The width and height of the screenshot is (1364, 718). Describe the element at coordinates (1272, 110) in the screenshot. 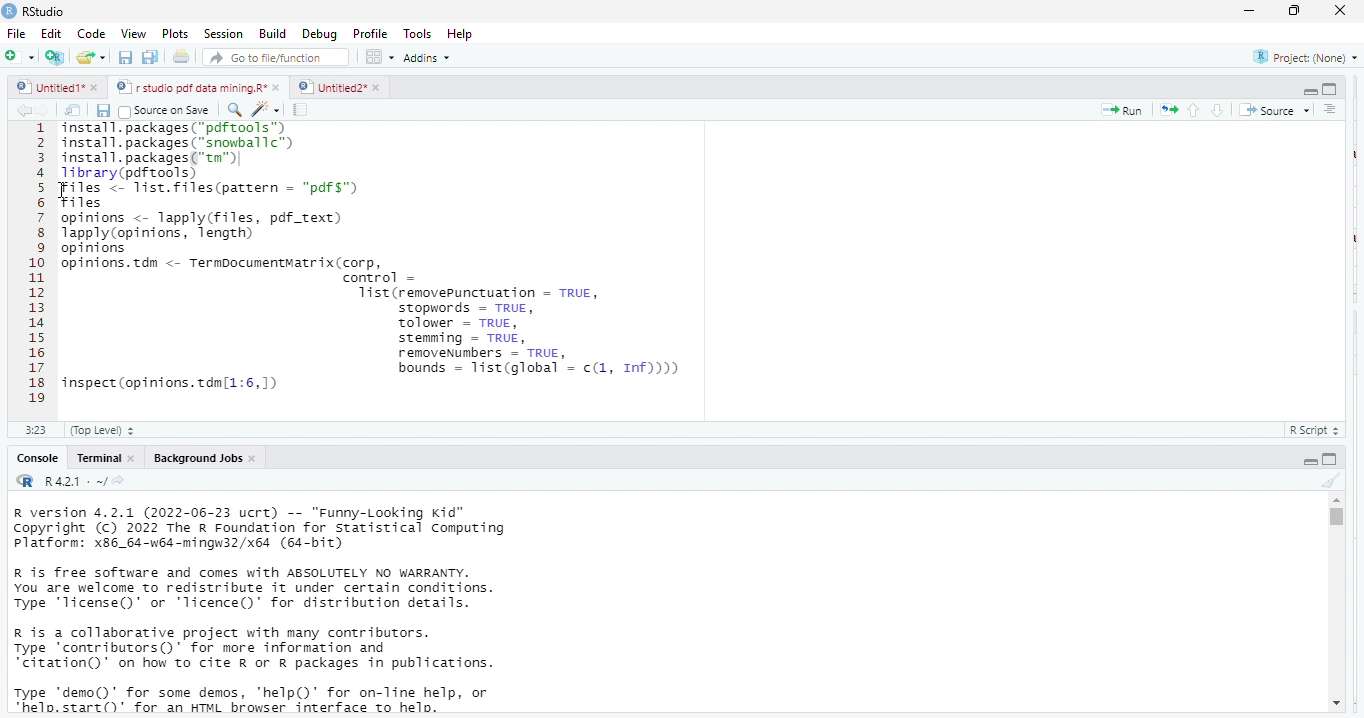

I see `source` at that location.